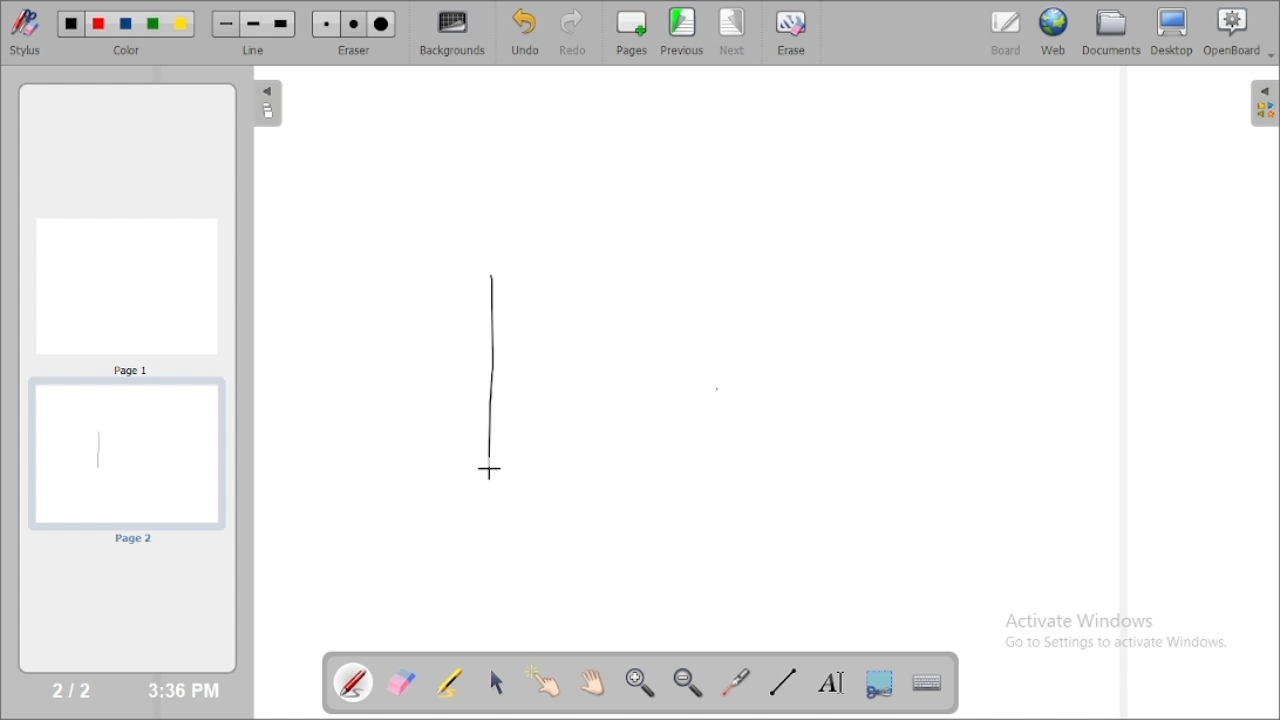 Image resolution: width=1280 pixels, height=720 pixels. I want to click on zoom out, so click(690, 683).